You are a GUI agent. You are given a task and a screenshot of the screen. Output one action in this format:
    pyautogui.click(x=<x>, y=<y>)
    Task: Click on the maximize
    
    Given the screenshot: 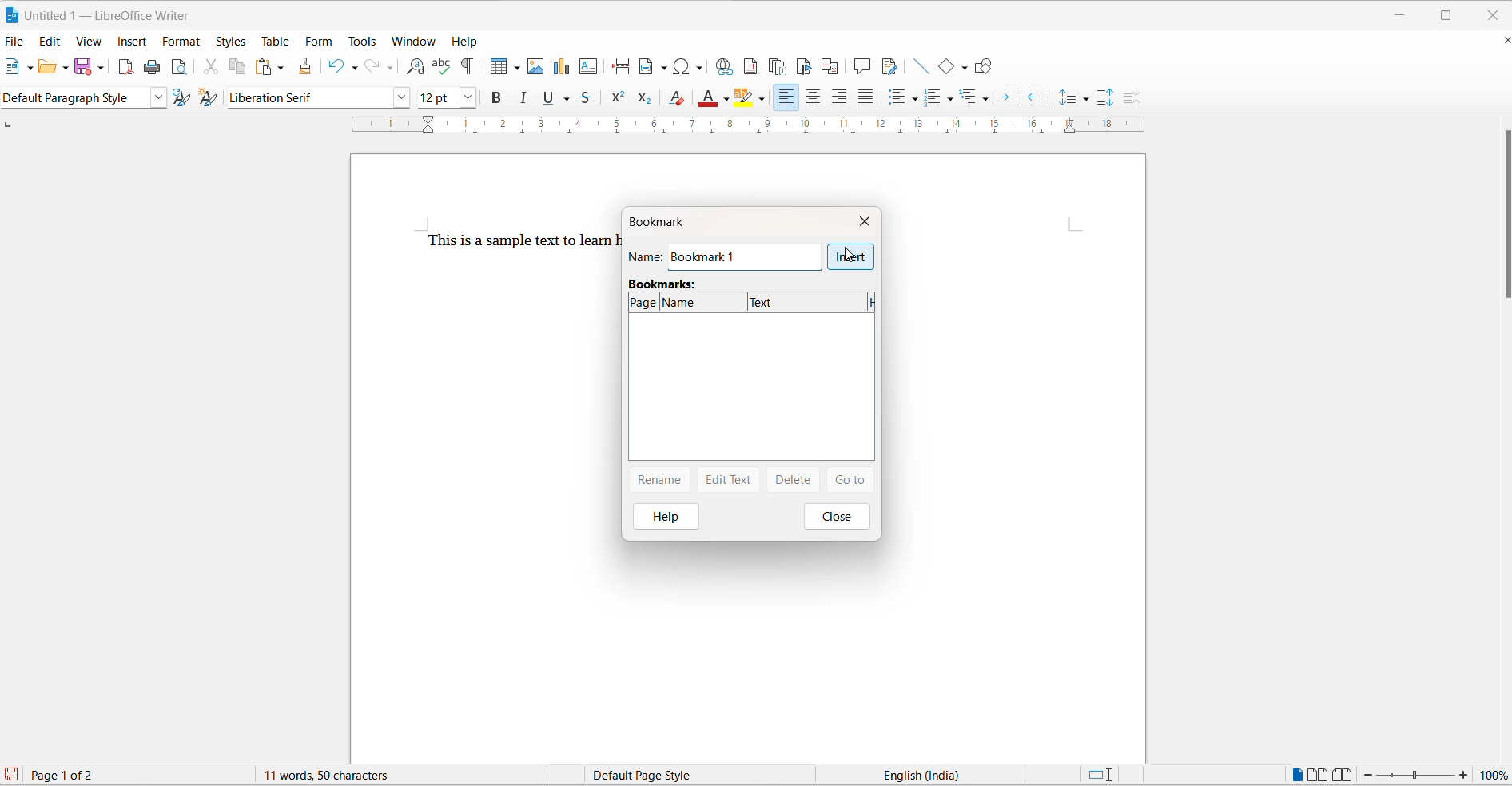 What is the action you would take?
    pyautogui.click(x=1449, y=13)
    